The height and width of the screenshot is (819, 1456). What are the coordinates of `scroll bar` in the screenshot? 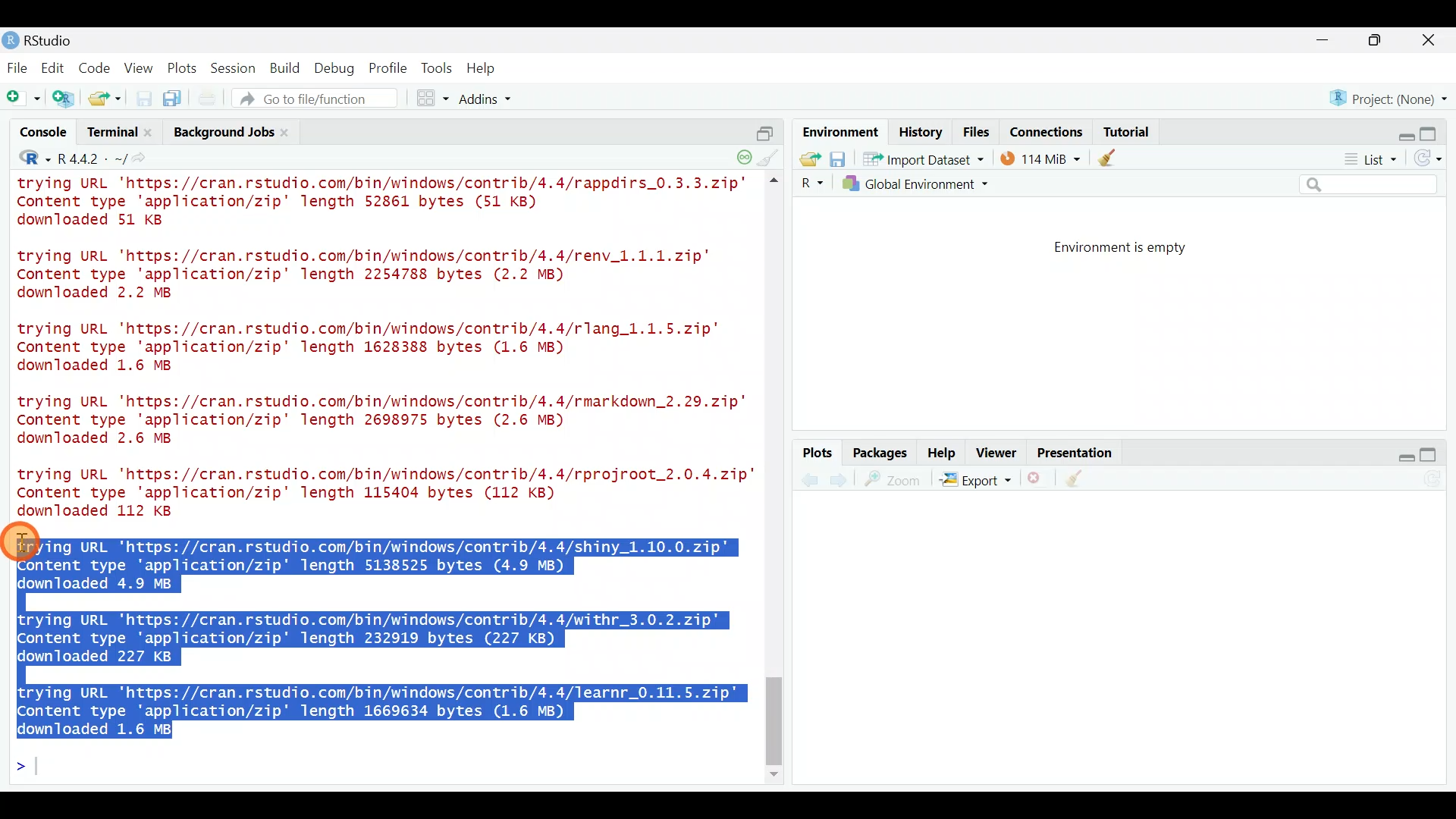 It's located at (777, 479).